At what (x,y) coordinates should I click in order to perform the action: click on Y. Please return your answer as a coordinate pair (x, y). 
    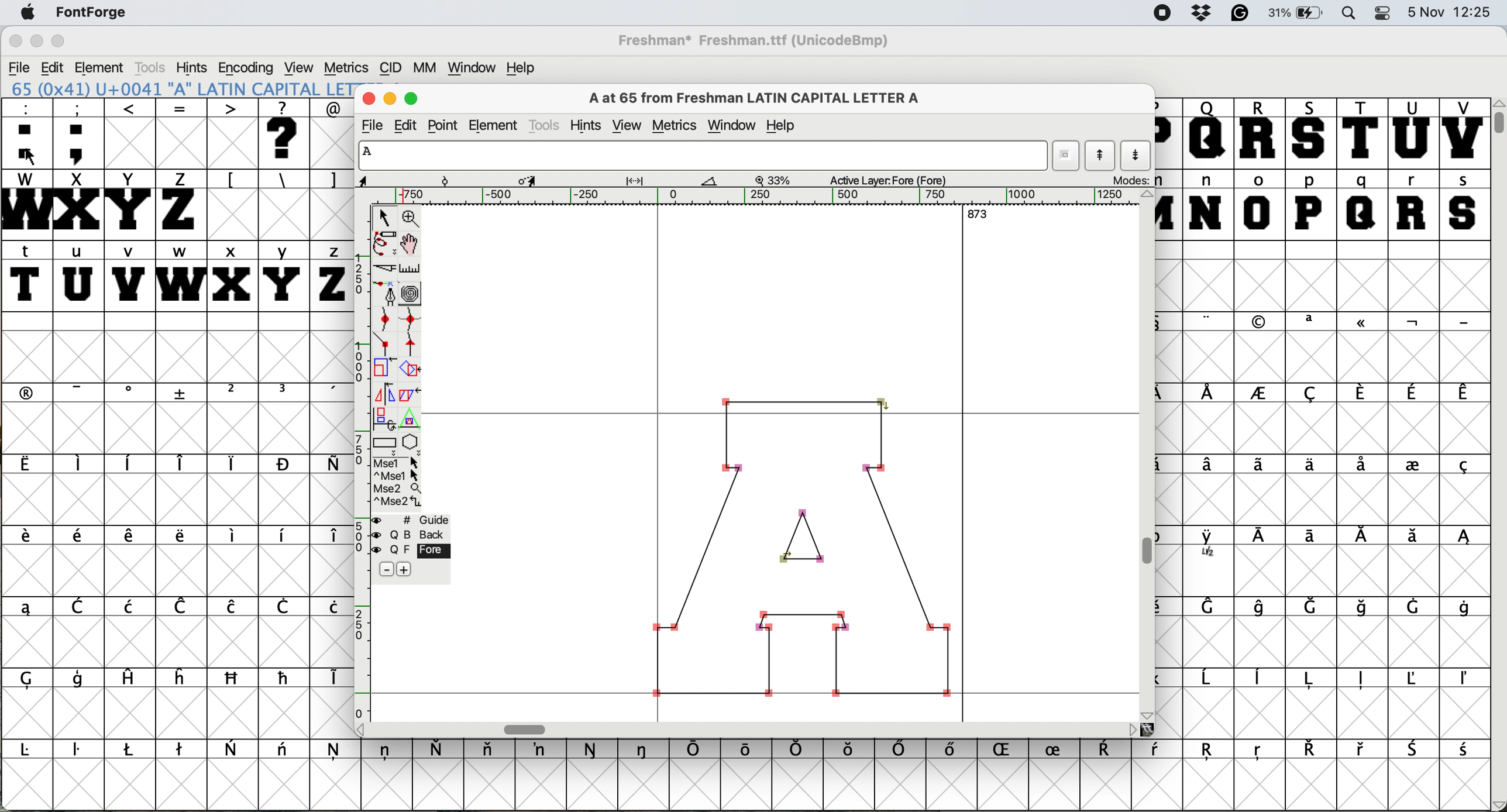
    Looking at the image, I should click on (130, 204).